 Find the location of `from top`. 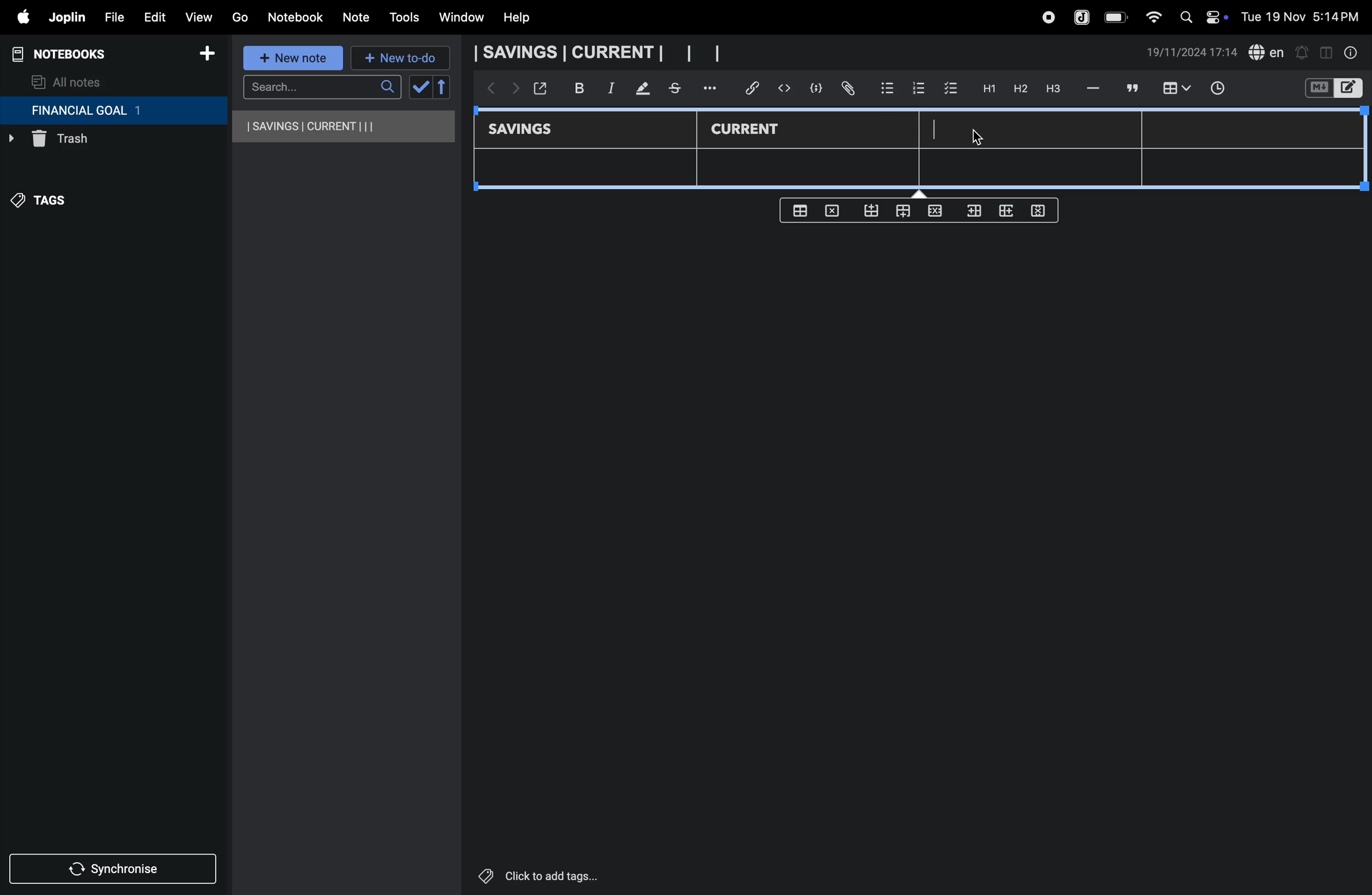

from top is located at coordinates (900, 212).